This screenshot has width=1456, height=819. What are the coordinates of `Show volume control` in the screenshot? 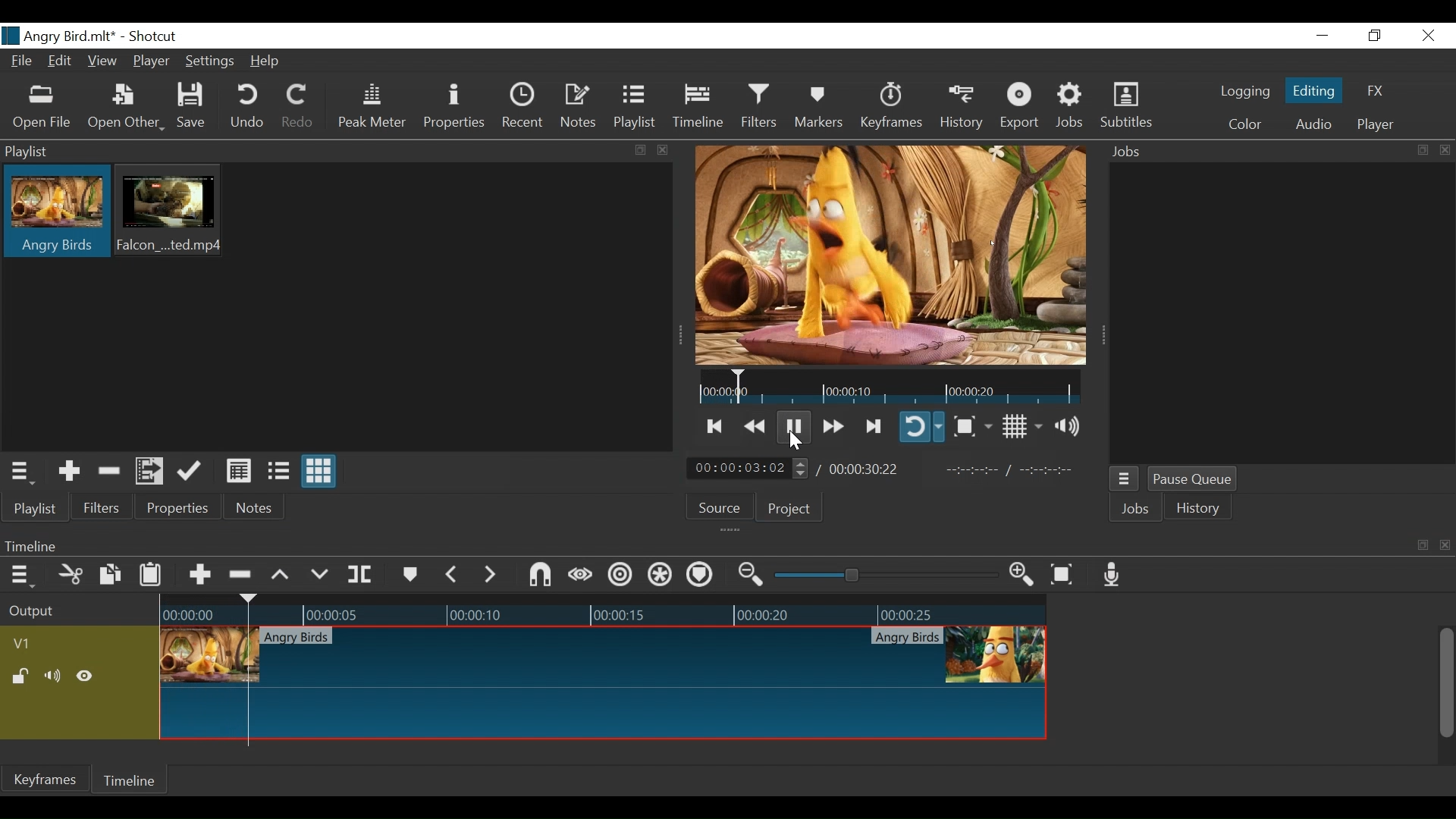 It's located at (1070, 427).